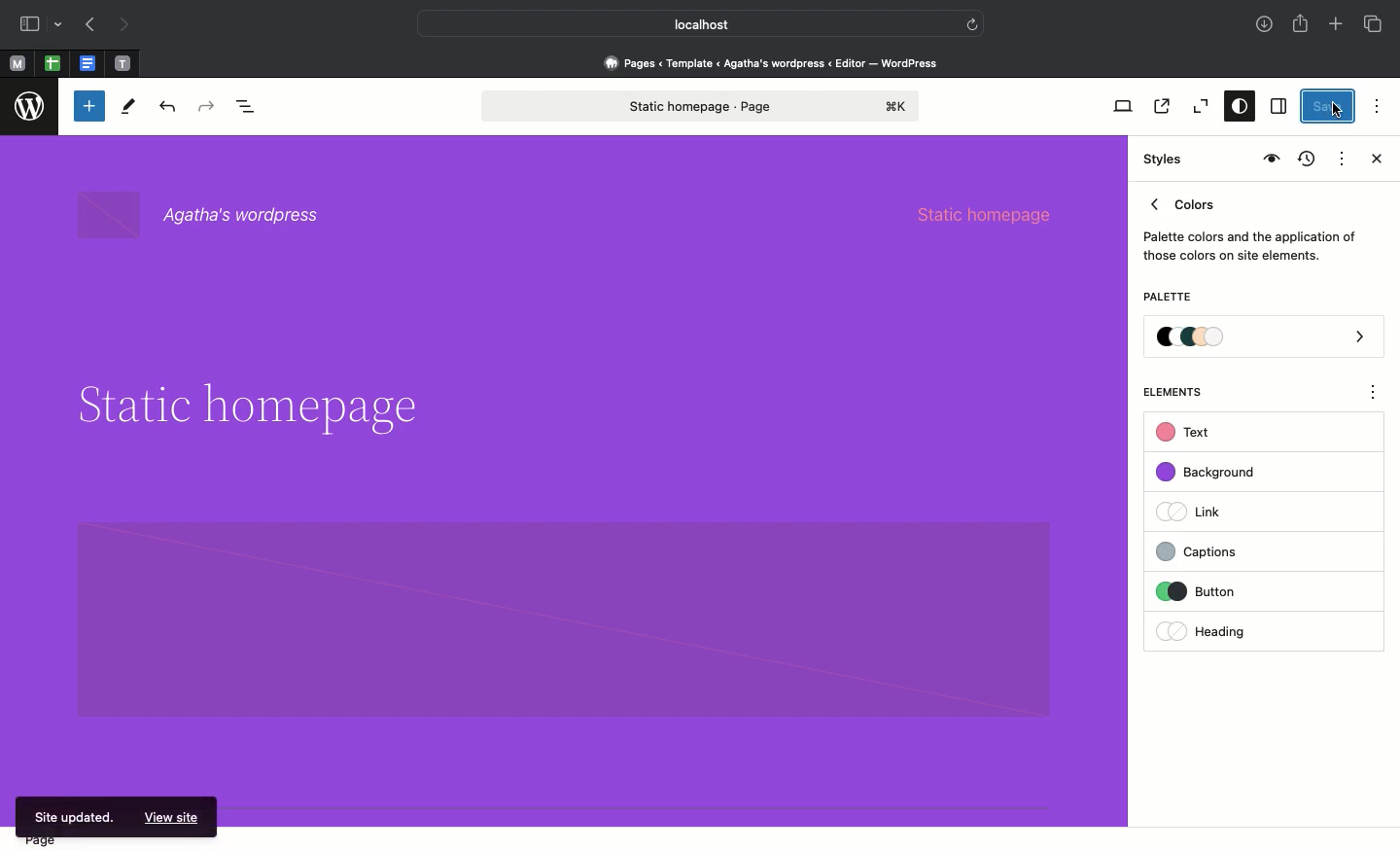  Describe the element at coordinates (30, 107) in the screenshot. I see `wordpress` at that location.